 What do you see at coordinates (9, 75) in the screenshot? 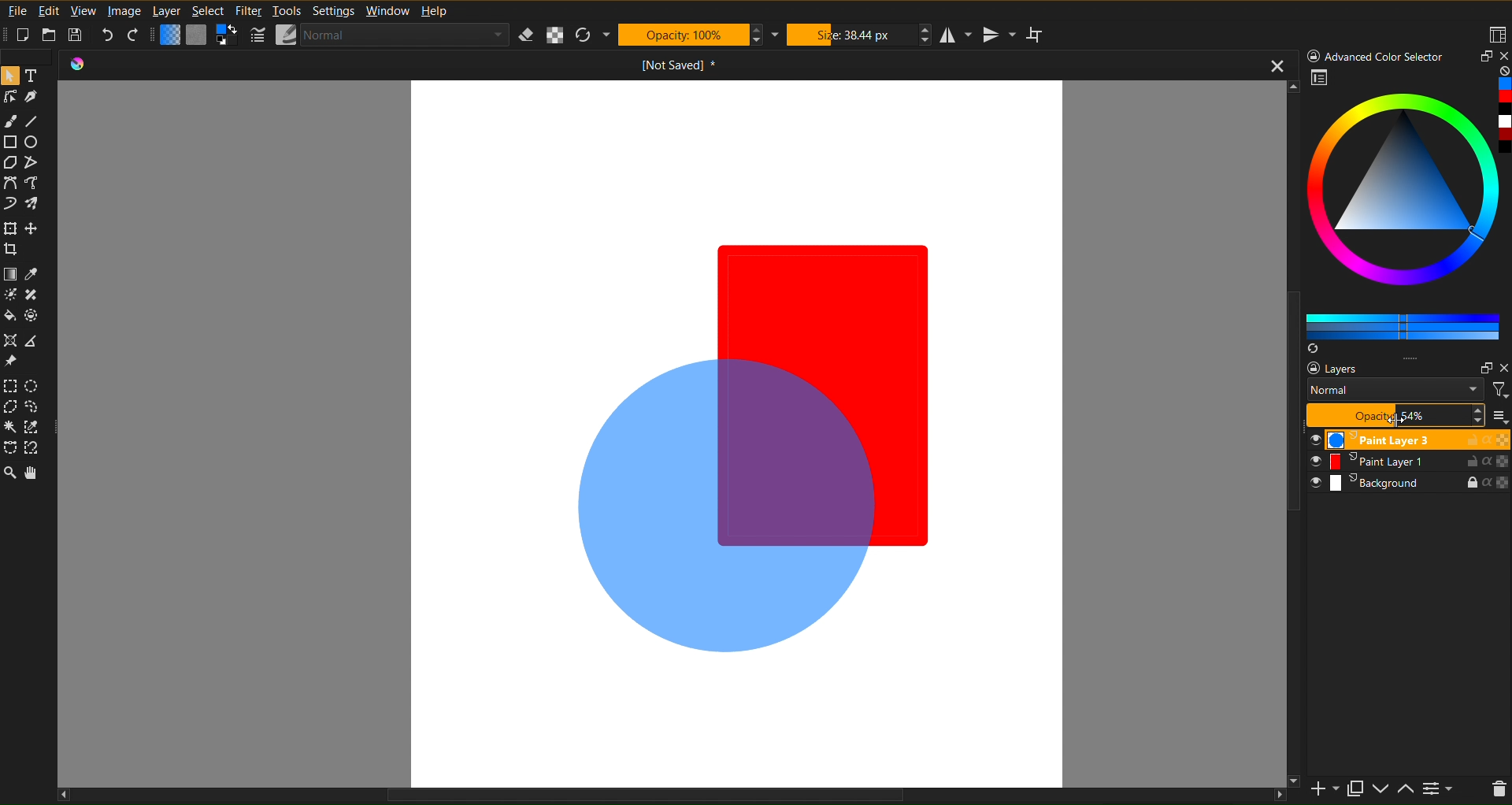
I see `Mouse` at bounding box center [9, 75].